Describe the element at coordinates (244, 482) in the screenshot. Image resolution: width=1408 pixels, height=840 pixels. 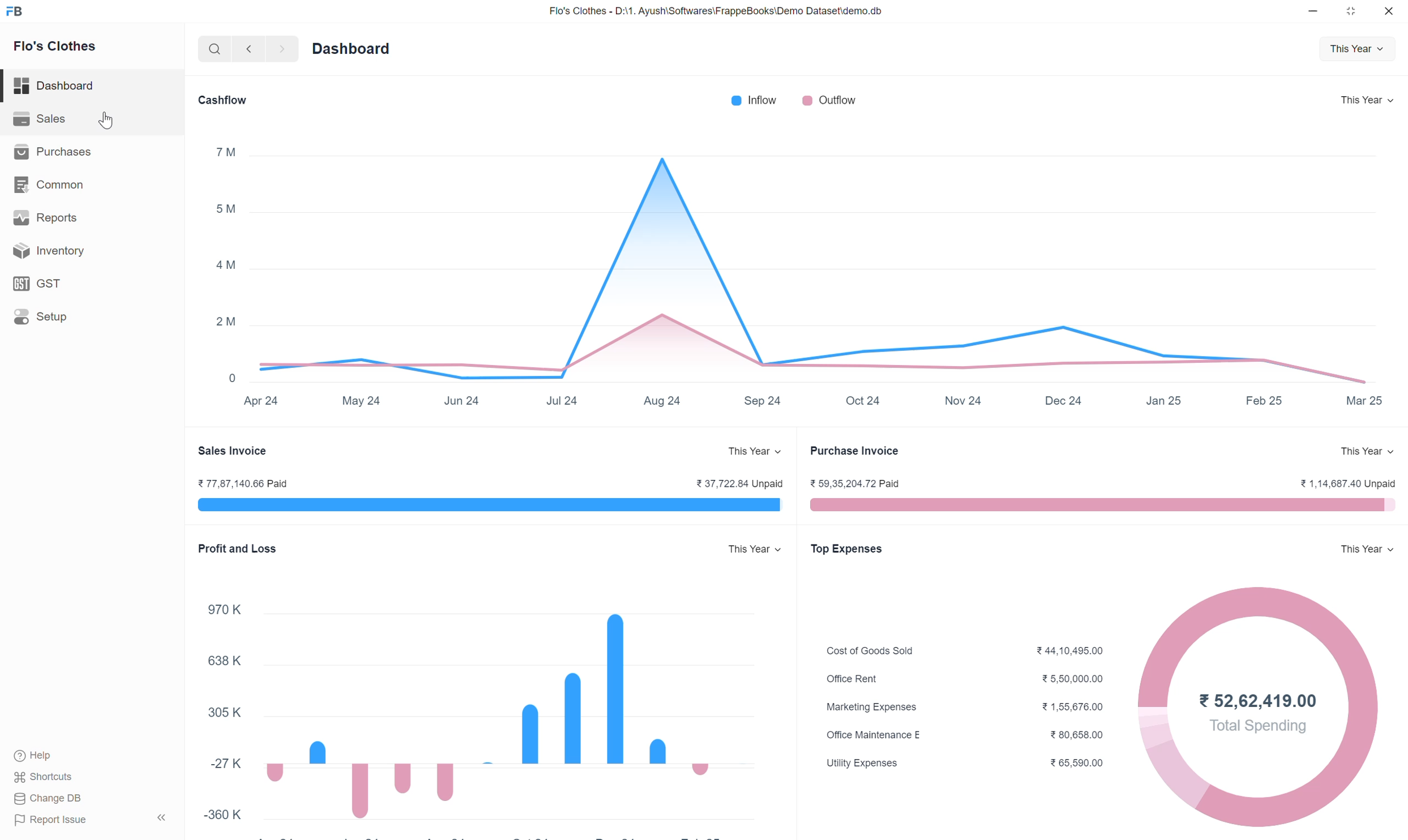
I see `Rs. 77,87,140.66 Paid` at that location.